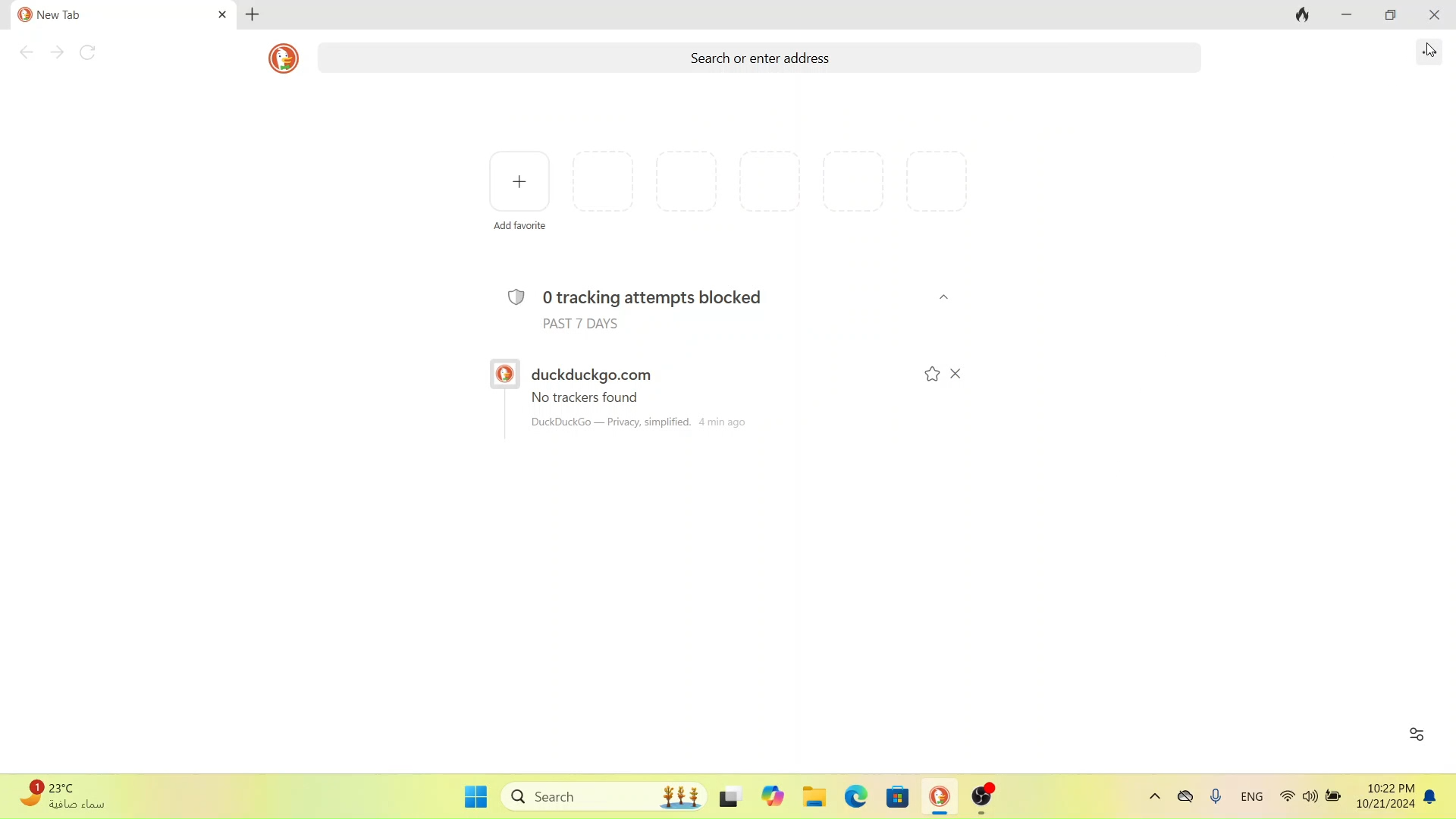  I want to click on duckduckgo, so click(939, 800).